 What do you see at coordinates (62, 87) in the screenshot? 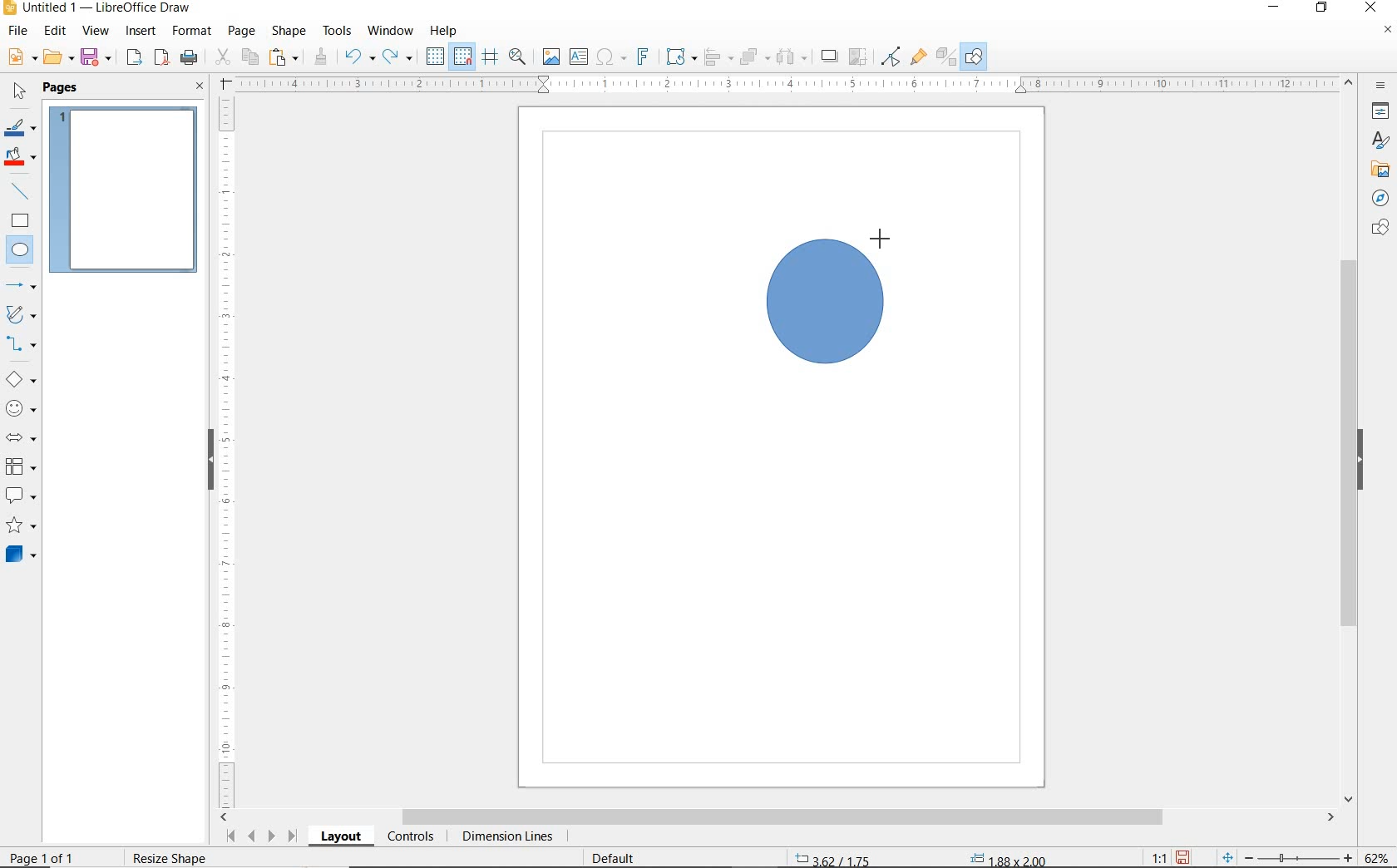
I see `PAGES` at bounding box center [62, 87].